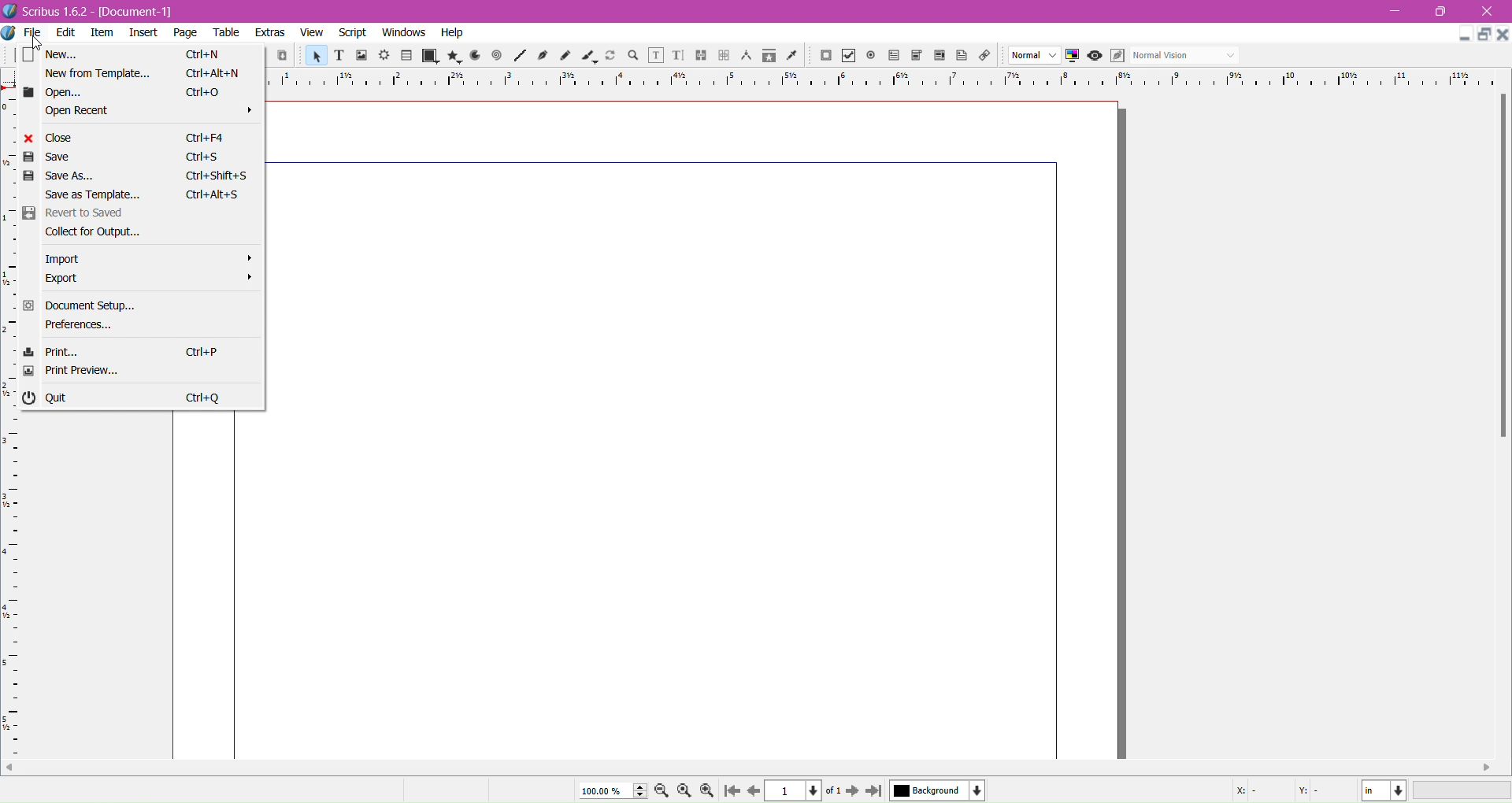 The width and height of the screenshot is (1512, 803). What do you see at coordinates (939, 56) in the screenshot?
I see `PDF List Box` at bounding box center [939, 56].